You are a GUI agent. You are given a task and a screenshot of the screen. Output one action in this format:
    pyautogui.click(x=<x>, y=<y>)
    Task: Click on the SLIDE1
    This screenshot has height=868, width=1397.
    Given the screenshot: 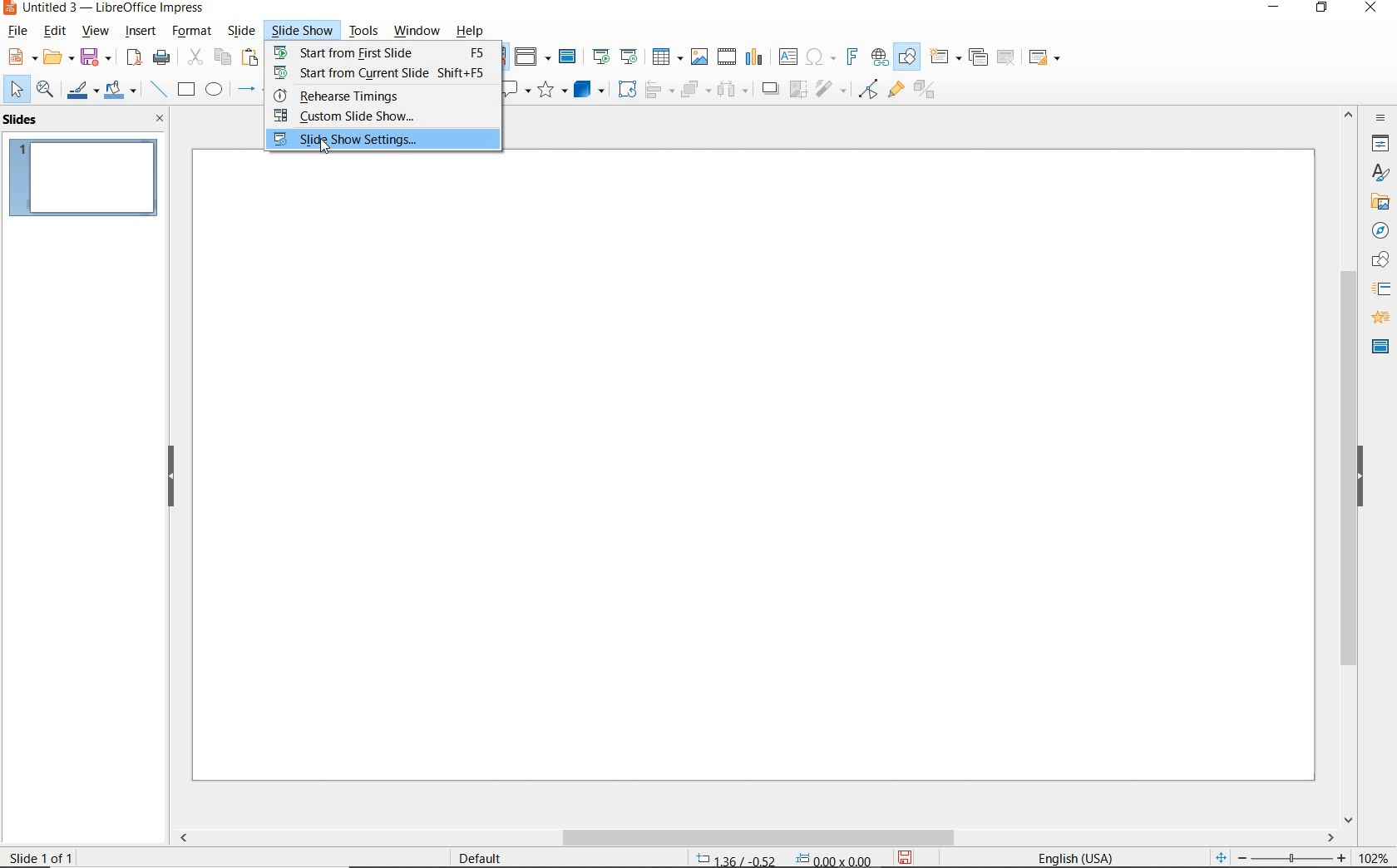 What is the action you would take?
    pyautogui.click(x=83, y=180)
    